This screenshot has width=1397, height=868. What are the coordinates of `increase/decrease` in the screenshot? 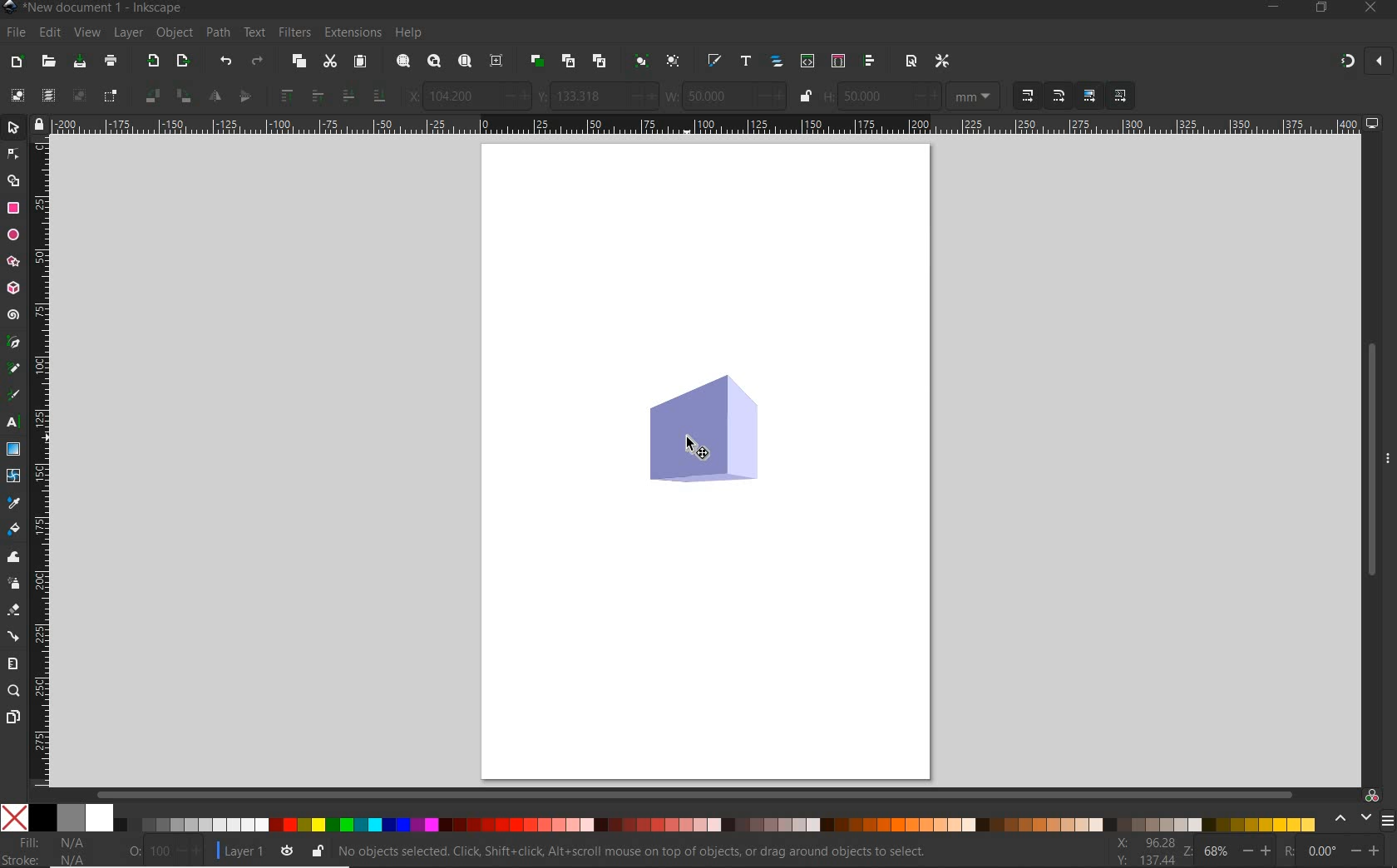 It's located at (770, 96).